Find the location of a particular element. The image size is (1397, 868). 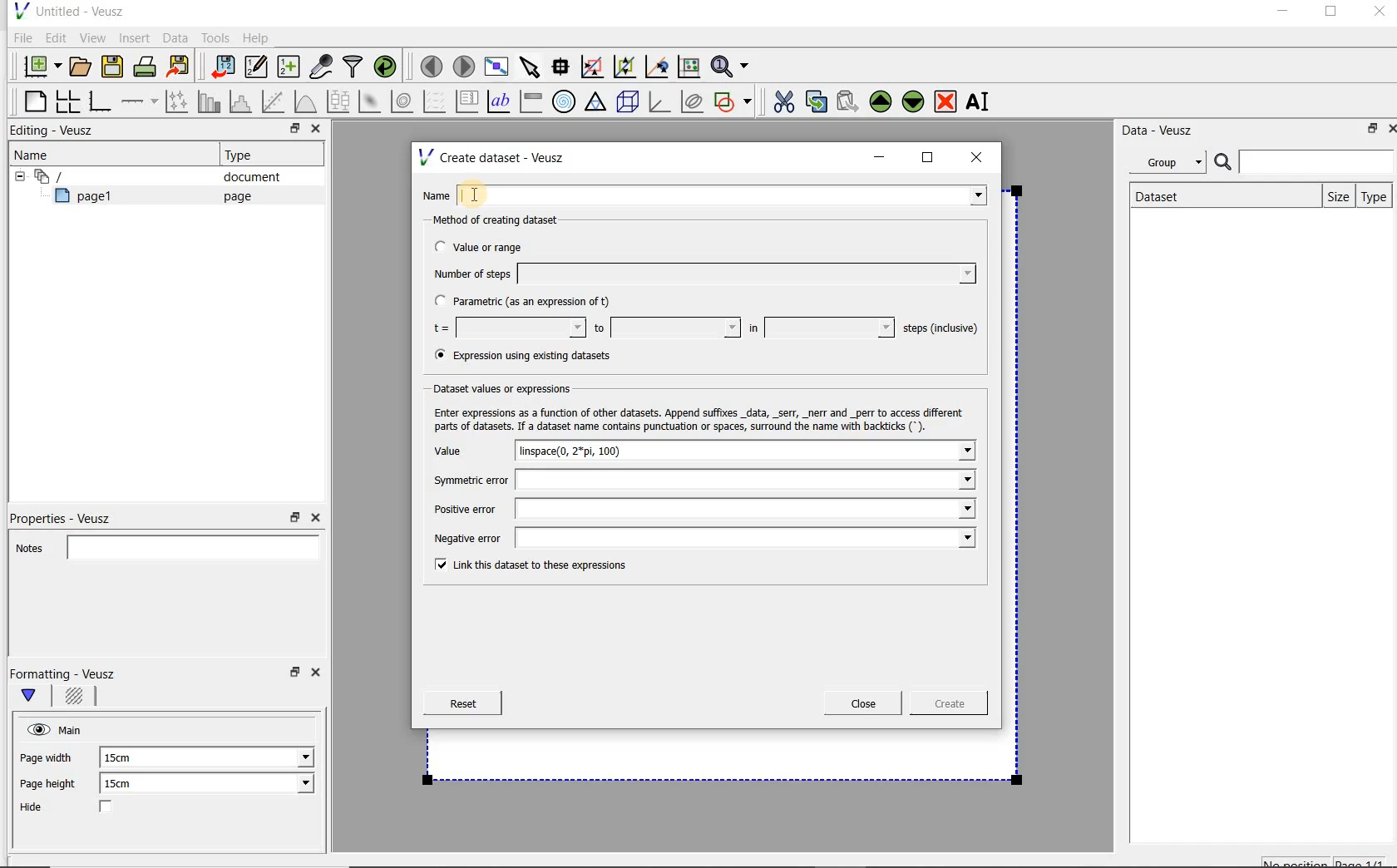

Close is located at coordinates (314, 518).